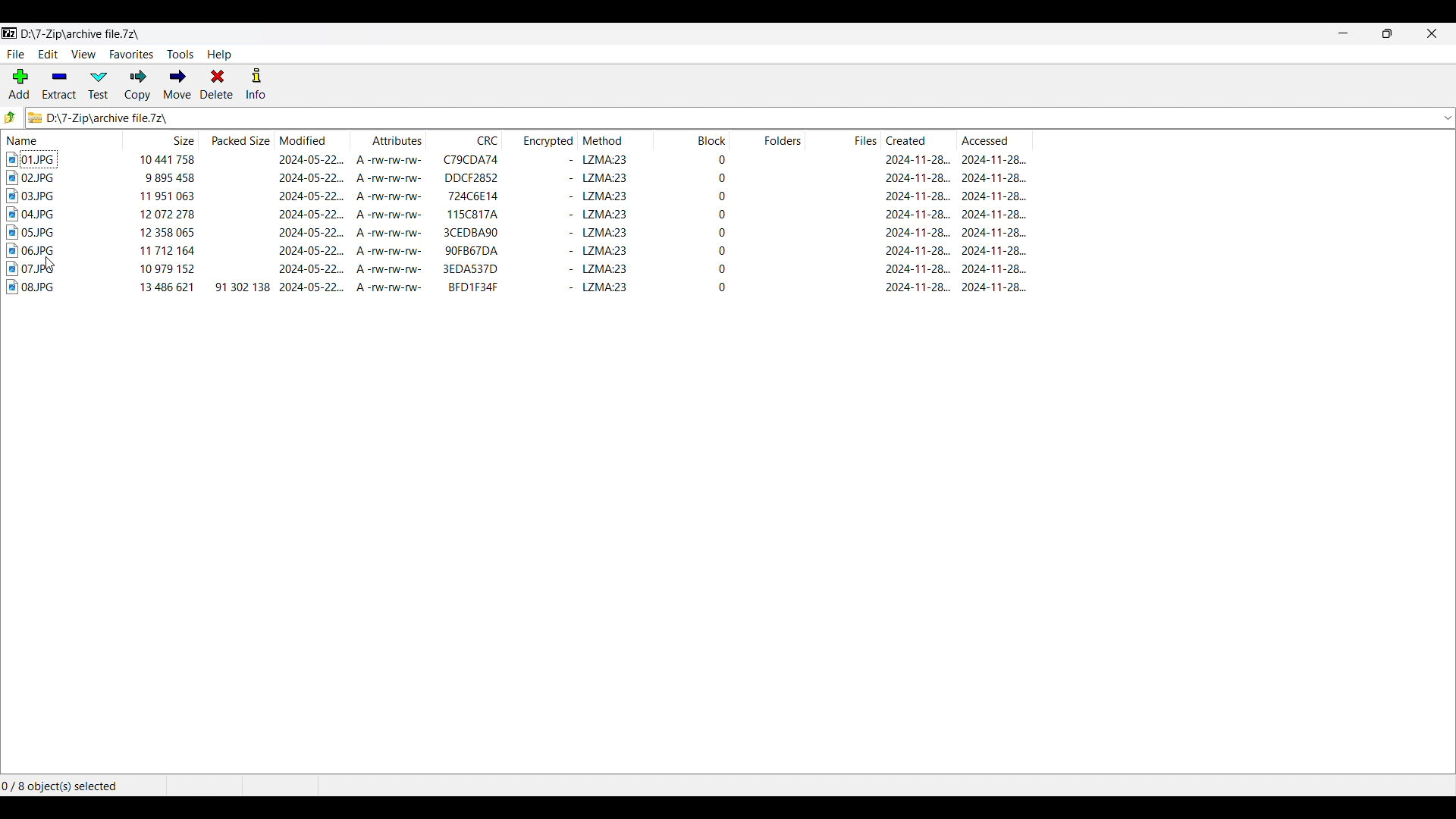 The image size is (1456, 819). Describe the element at coordinates (312, 214) in the screenshot. I see `modified date & time` at that location.